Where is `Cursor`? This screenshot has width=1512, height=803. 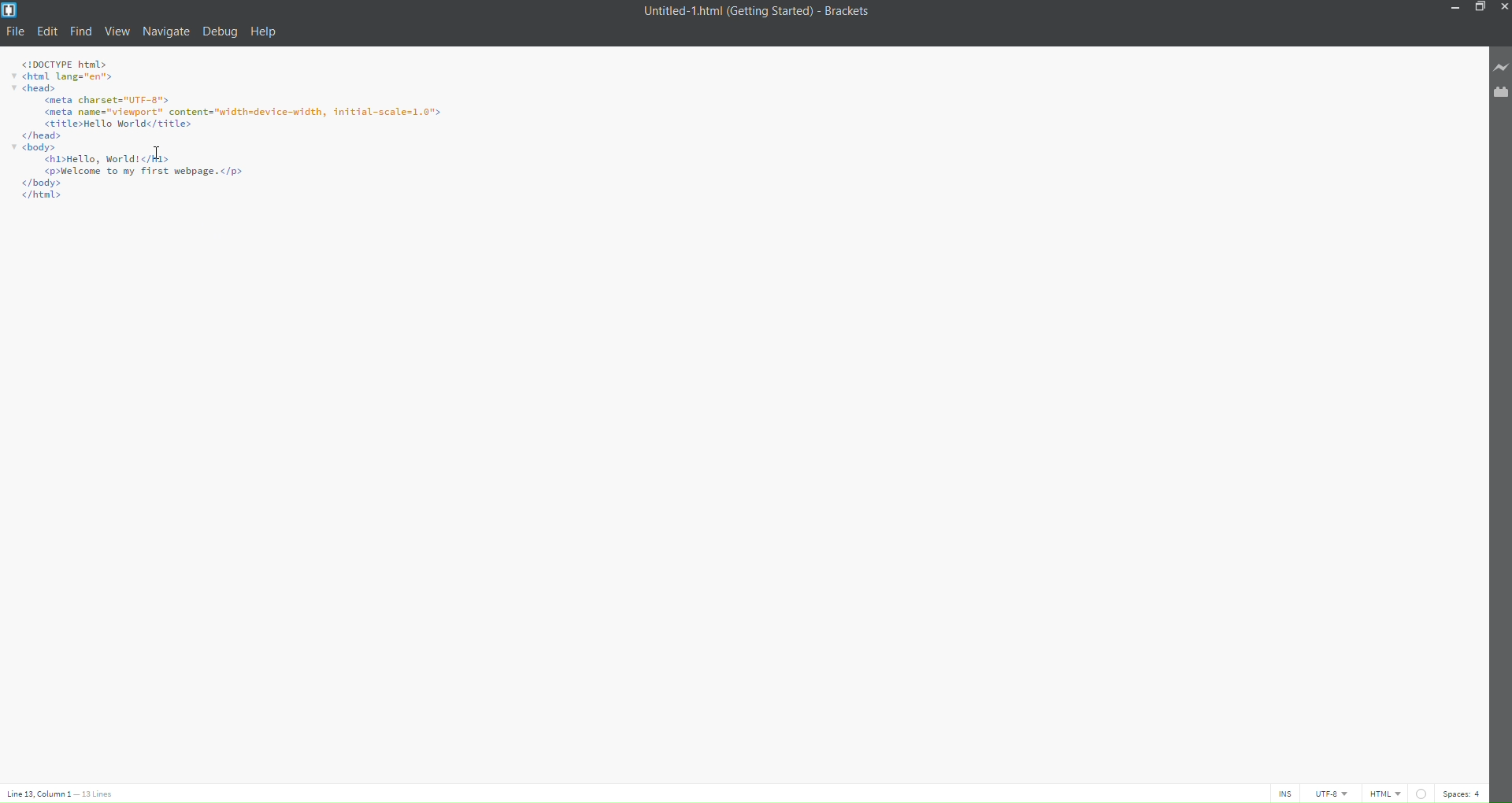 Cursor is located at coordinates (163, 156).